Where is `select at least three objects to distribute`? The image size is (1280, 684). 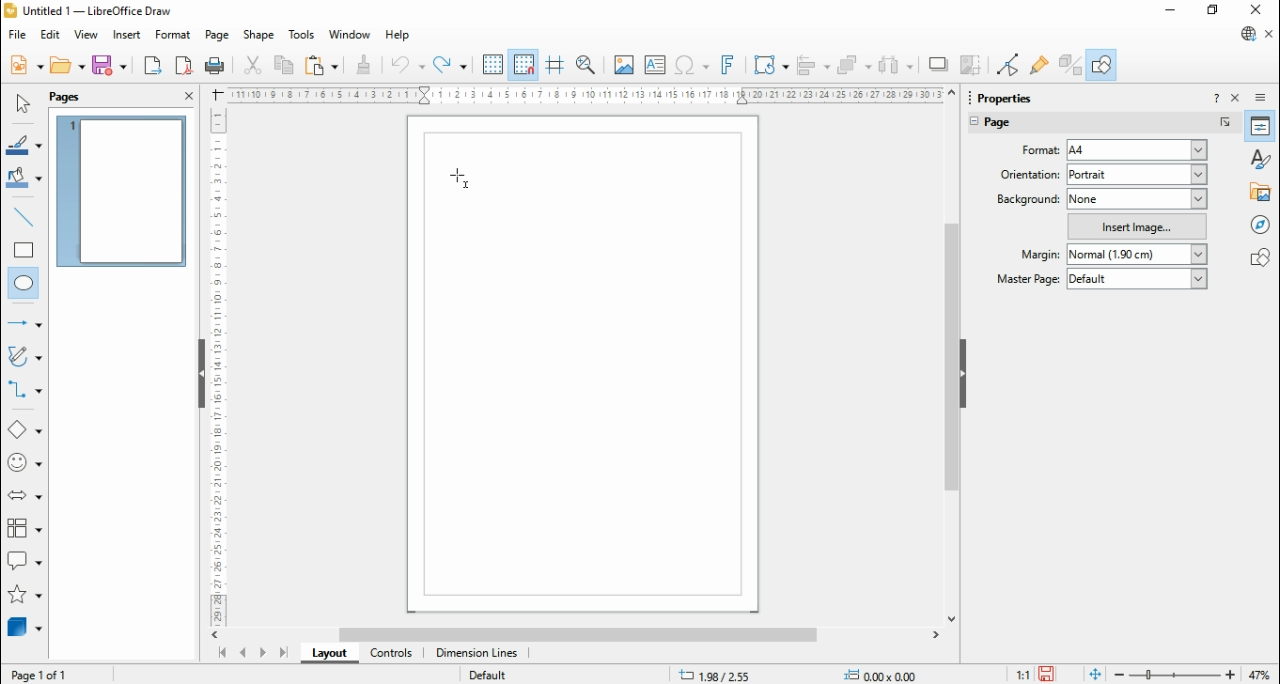 select at least three objects to distribute is located at coordinates (896, 66).